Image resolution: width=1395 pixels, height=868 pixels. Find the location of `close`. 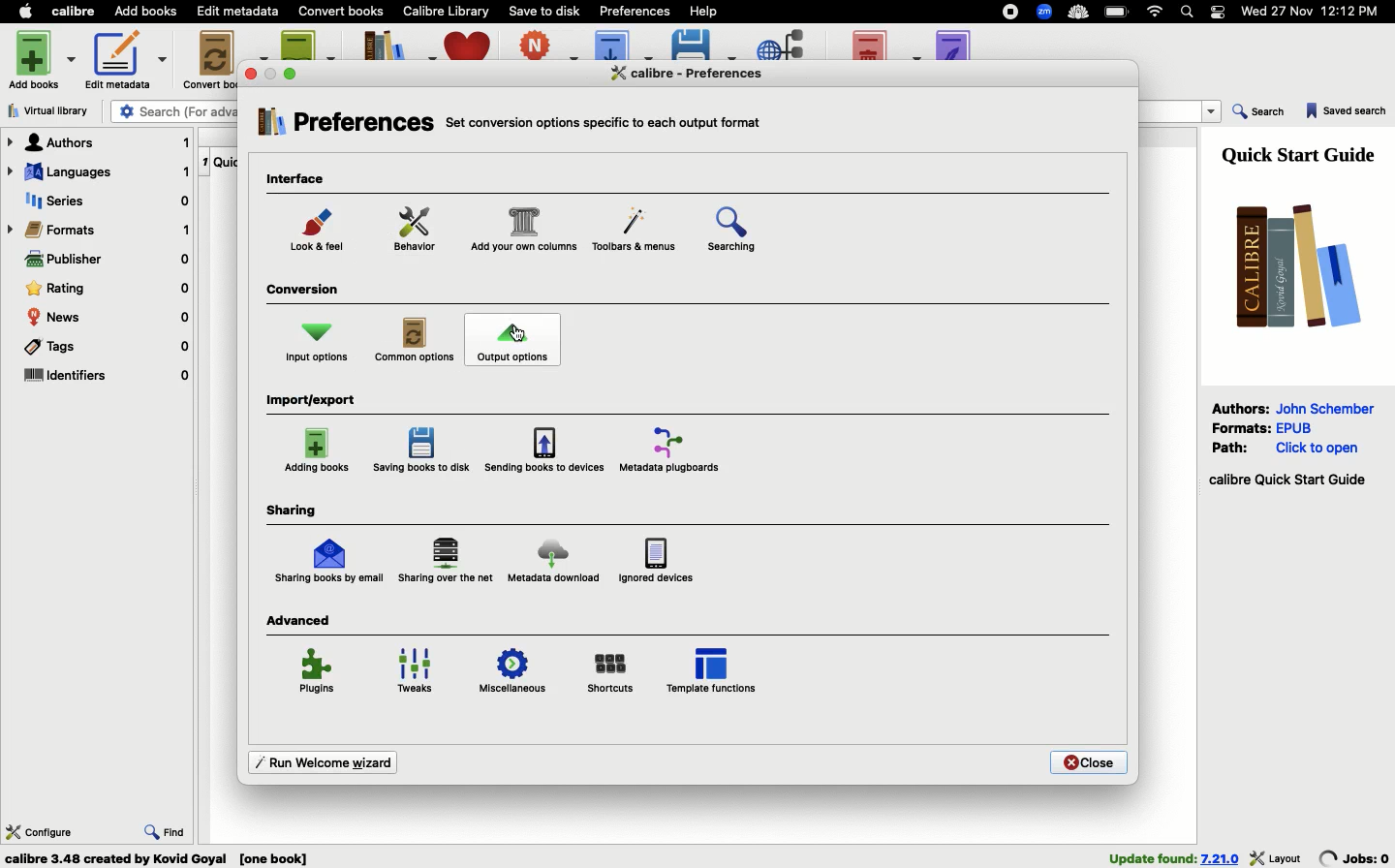

close is located at coordinates (252, 74).